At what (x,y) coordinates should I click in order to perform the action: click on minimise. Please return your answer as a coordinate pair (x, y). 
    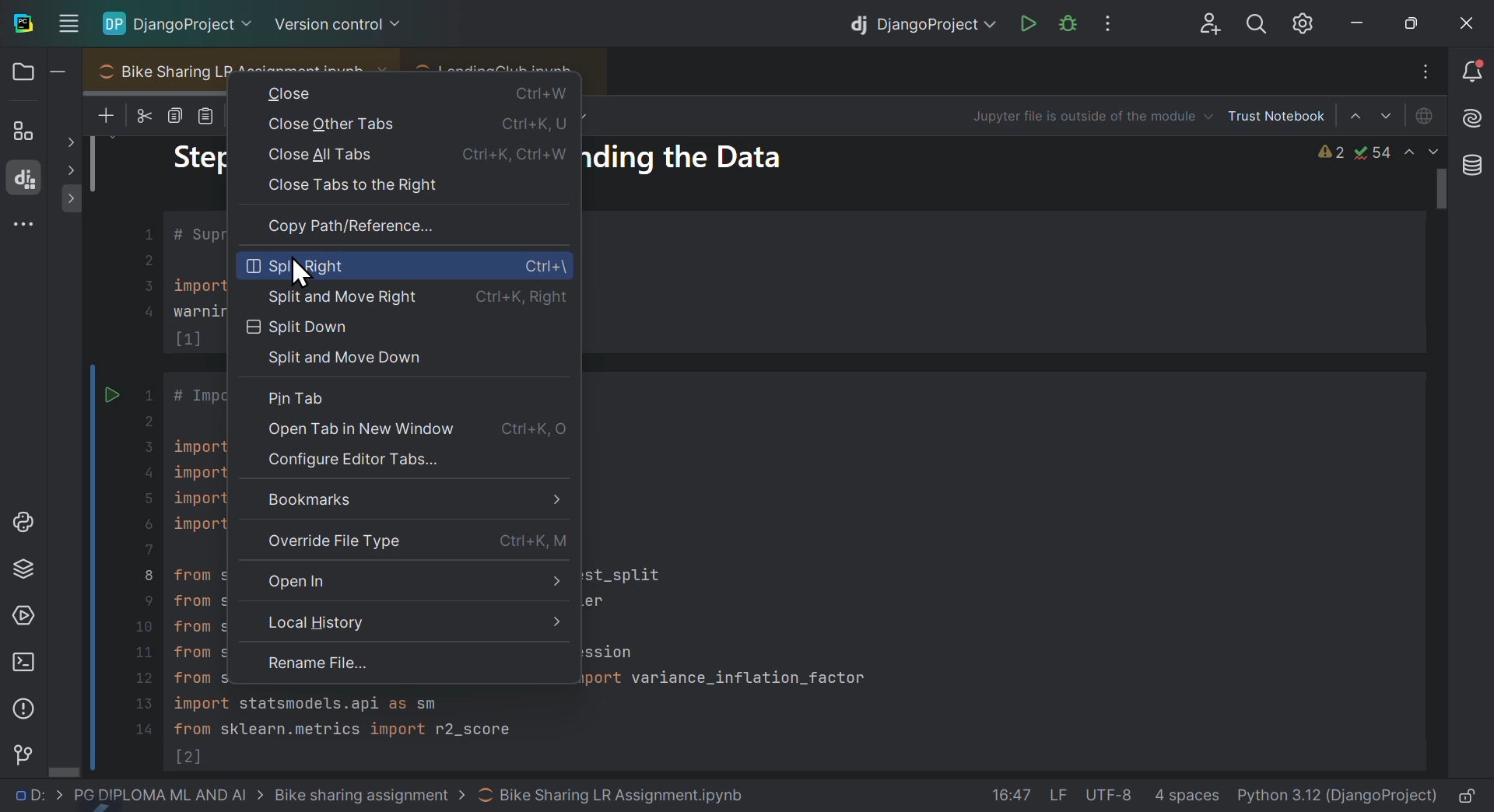
    Looking at the image, I should click on (1359, 25).